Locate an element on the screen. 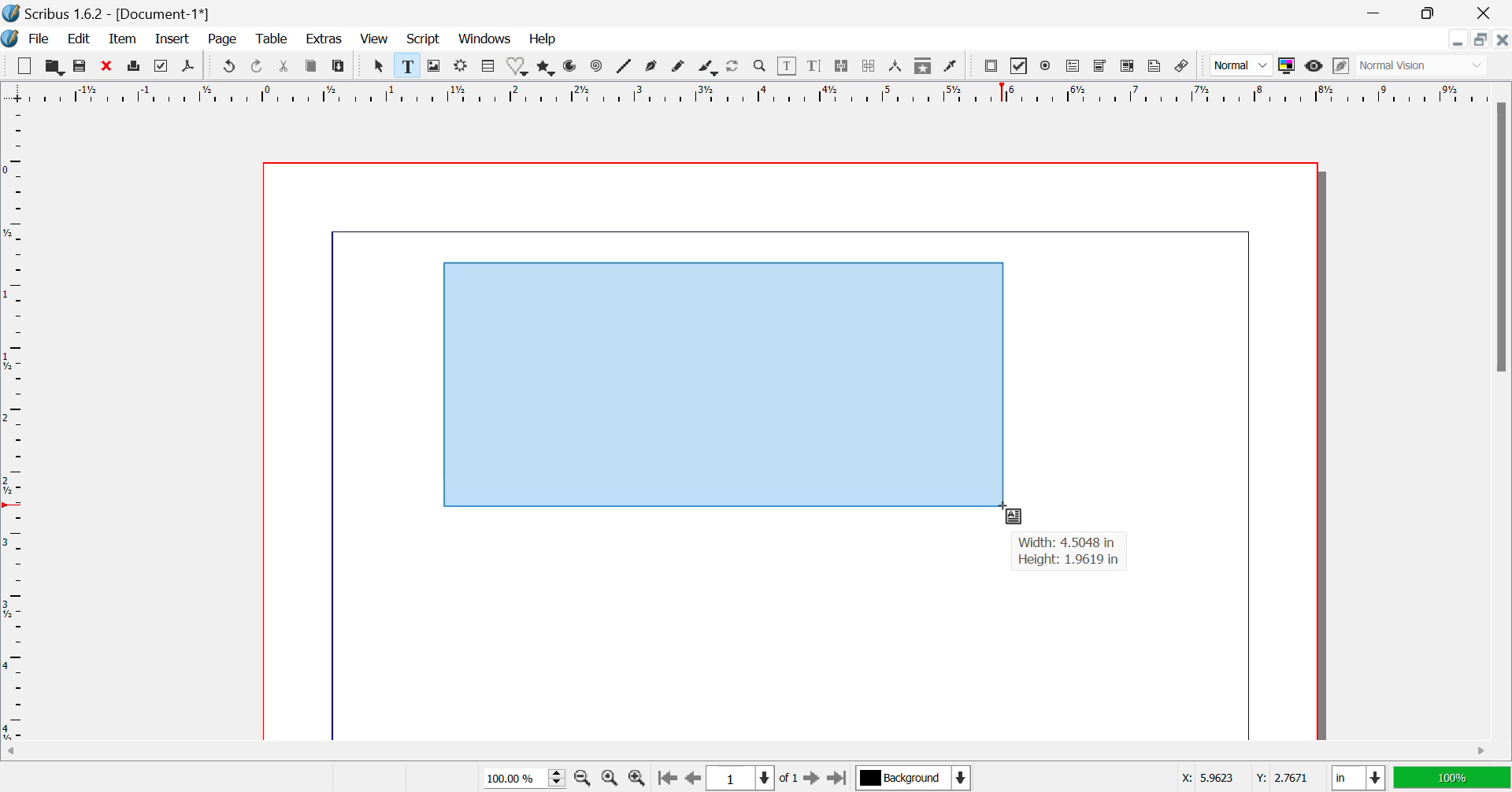 Image resolution: width=1512 pixels, height=792 pixels. Edit Content in Frames is located at coordinates (790, 66).